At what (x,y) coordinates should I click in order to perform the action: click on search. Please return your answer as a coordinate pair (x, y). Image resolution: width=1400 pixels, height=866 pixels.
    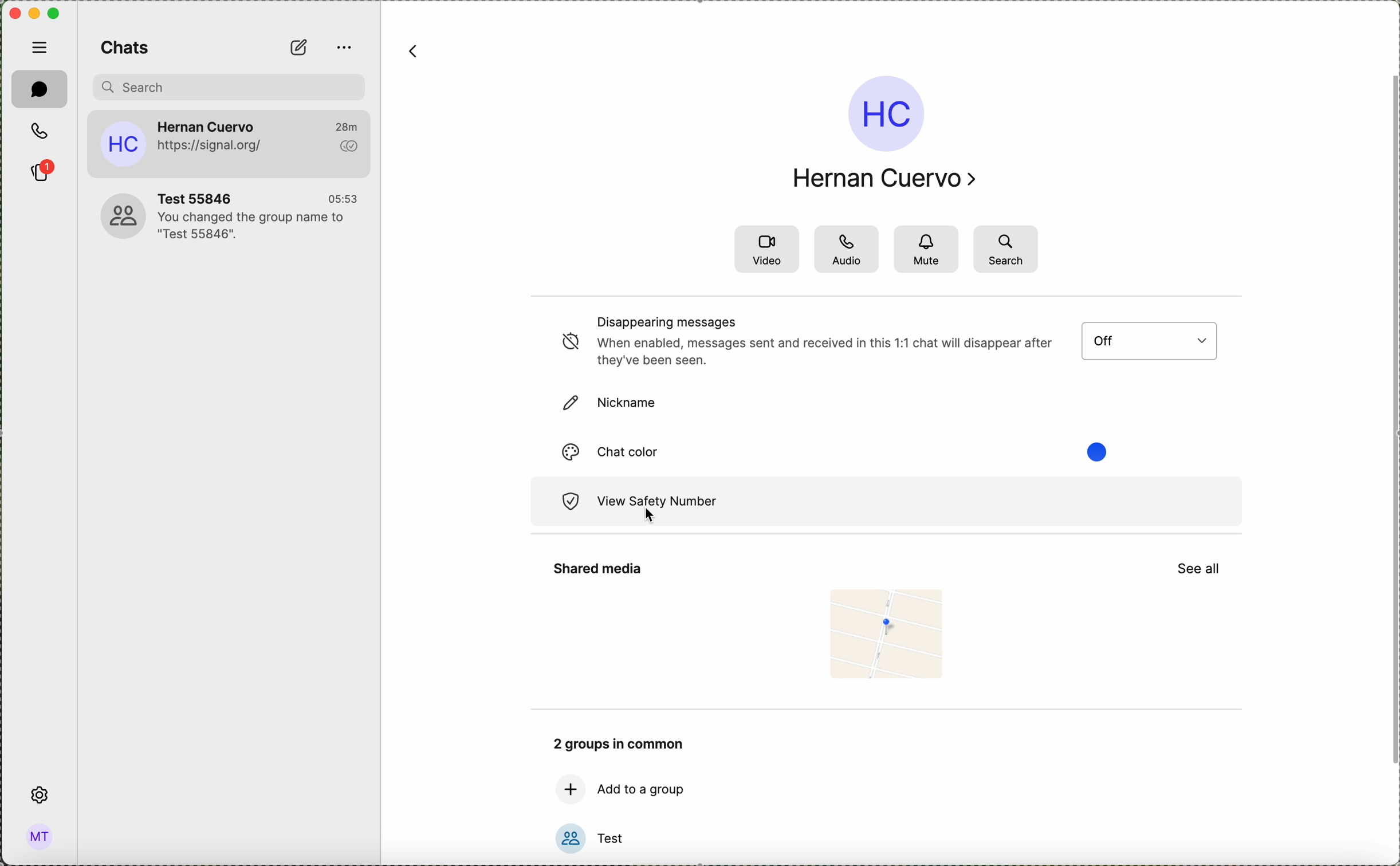
    Looking at the image, I should click on (1006, 248).